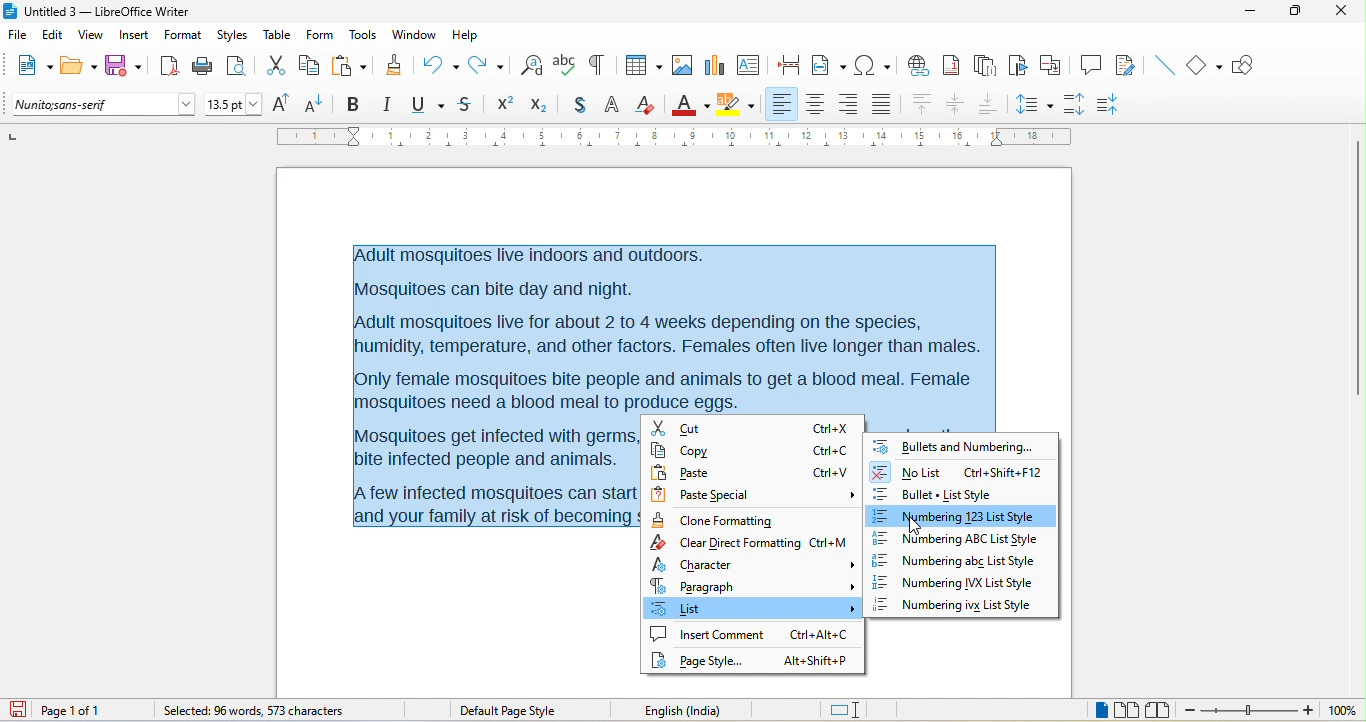 The height and width of the screenshot is (722, 1366). I want to click on numbering abc list style, so click(956, 540).